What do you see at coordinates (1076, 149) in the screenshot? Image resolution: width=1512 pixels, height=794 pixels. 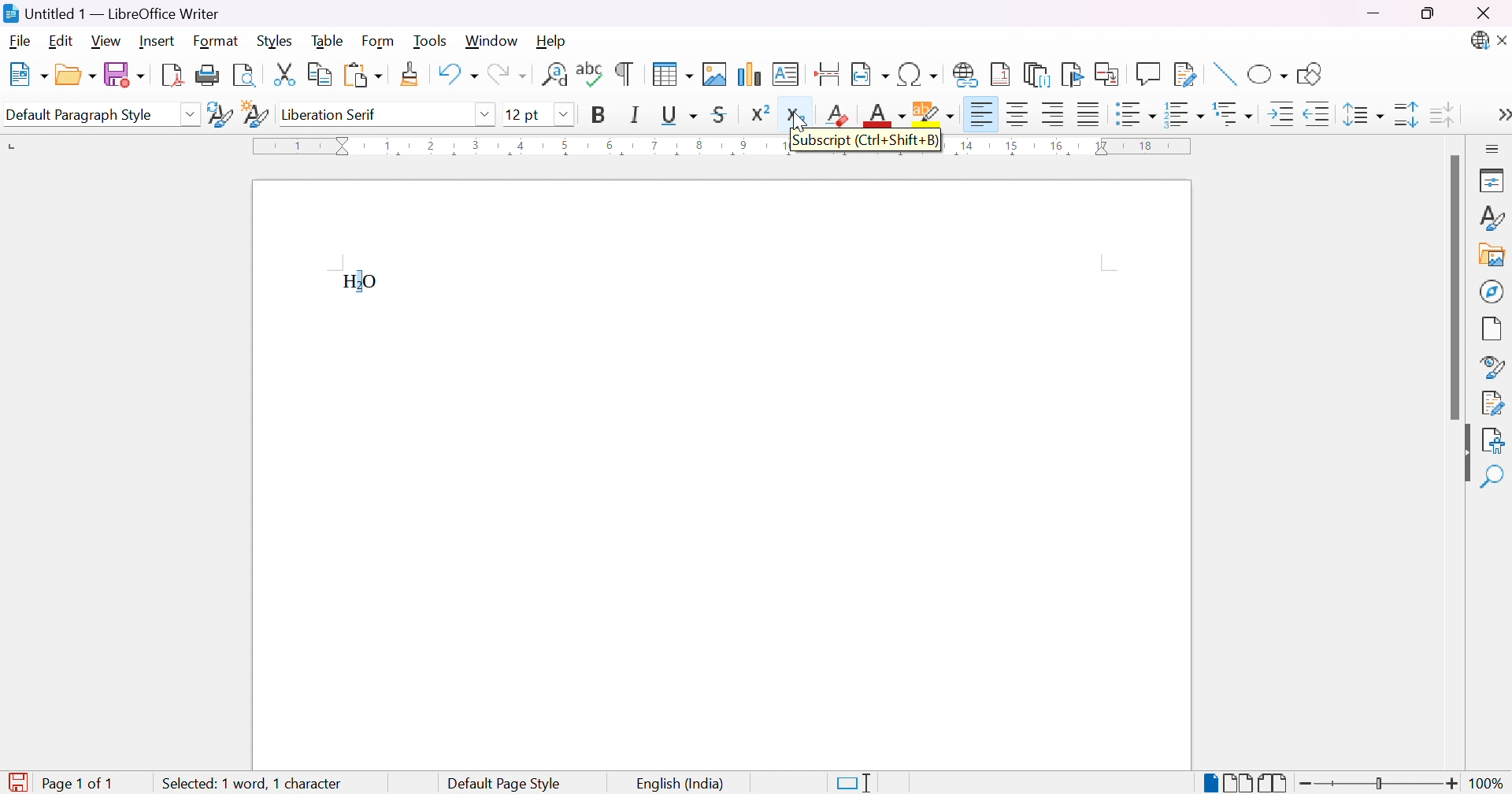 I see `RULER` at bounding box center [1076, 149].